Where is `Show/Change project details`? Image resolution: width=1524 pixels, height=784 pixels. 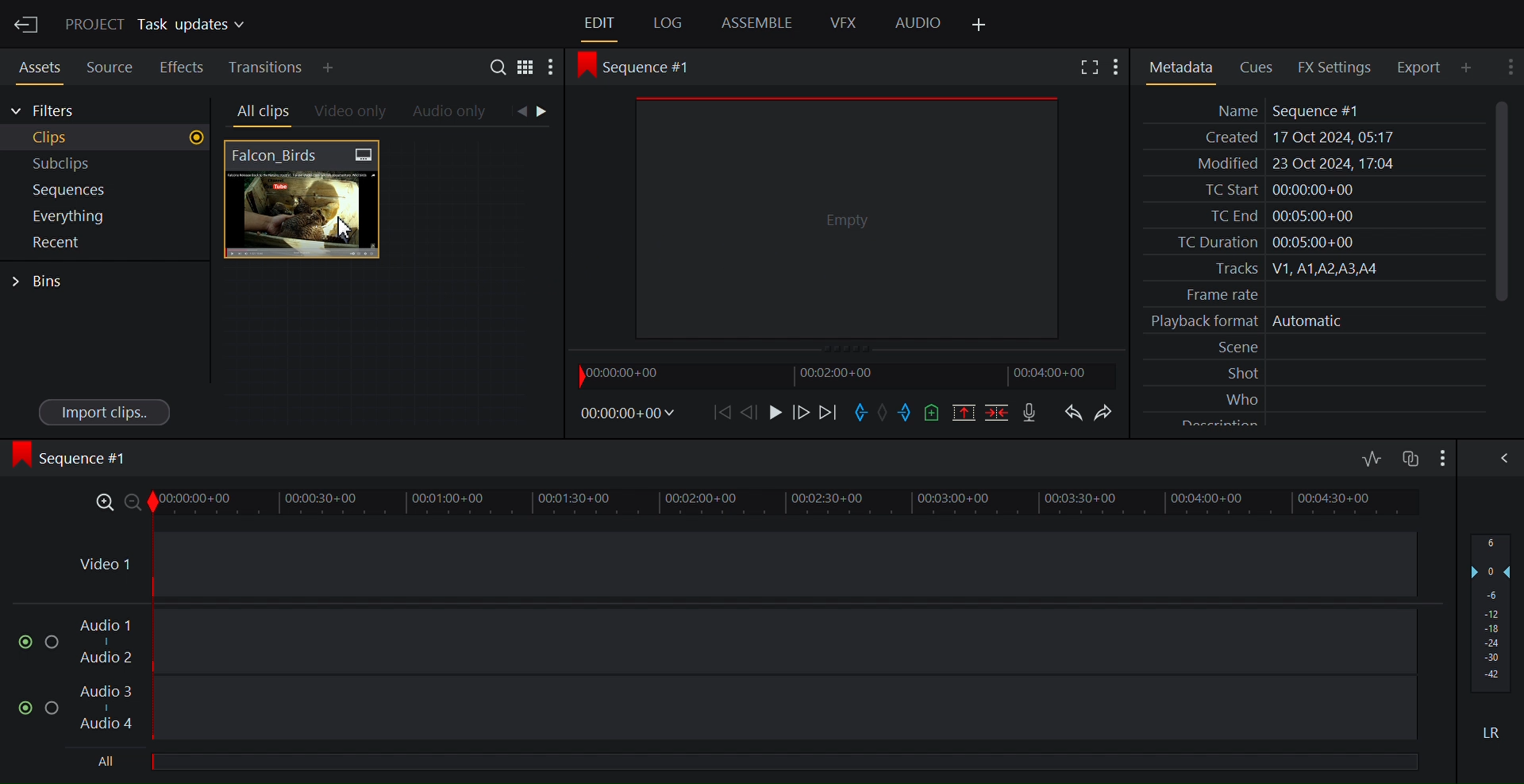
Show/Change project details is located at coordinates (159, 25).